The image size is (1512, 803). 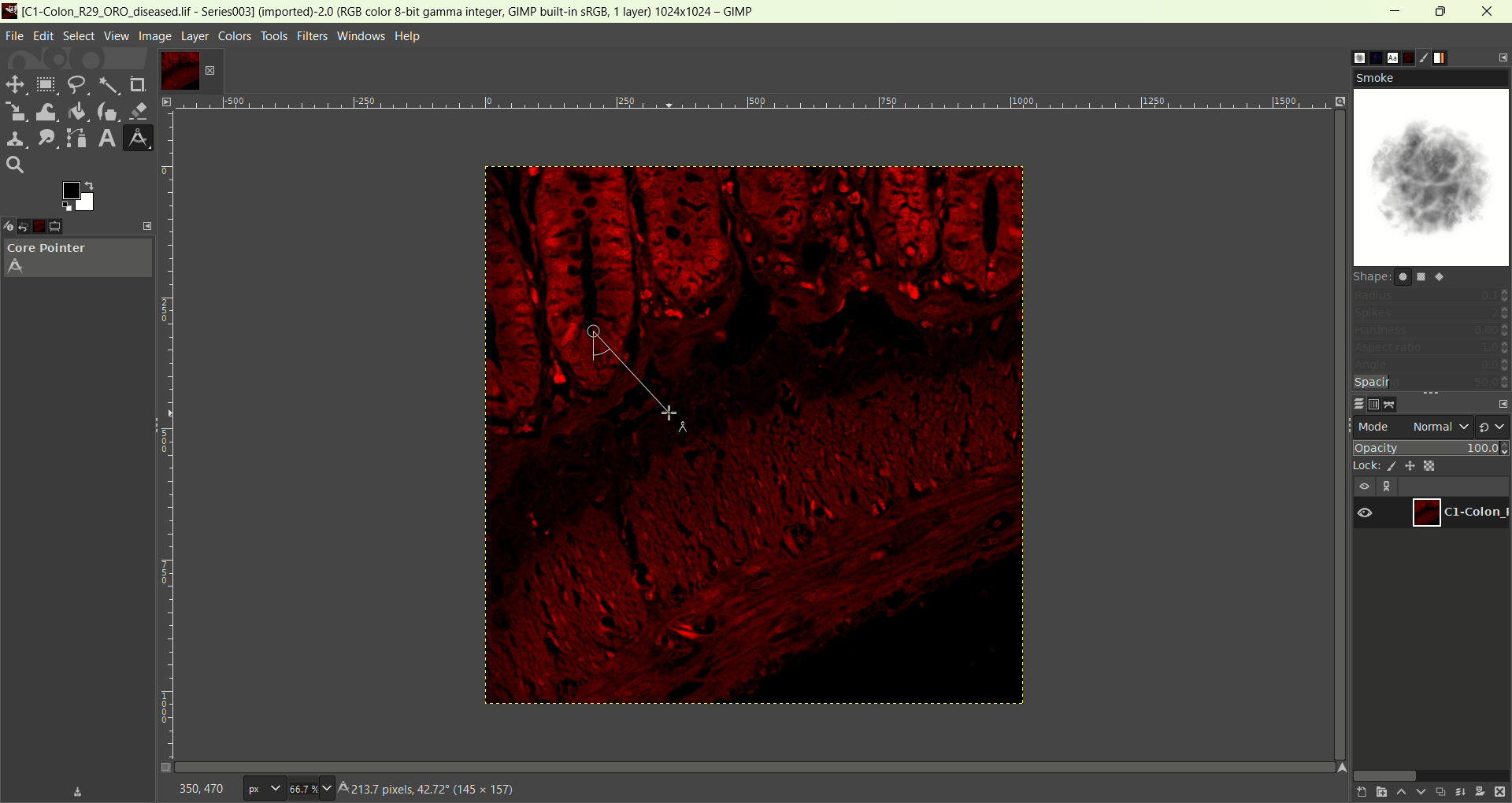 I want to click on raise this layer one step, so click(x=1400, y=793).